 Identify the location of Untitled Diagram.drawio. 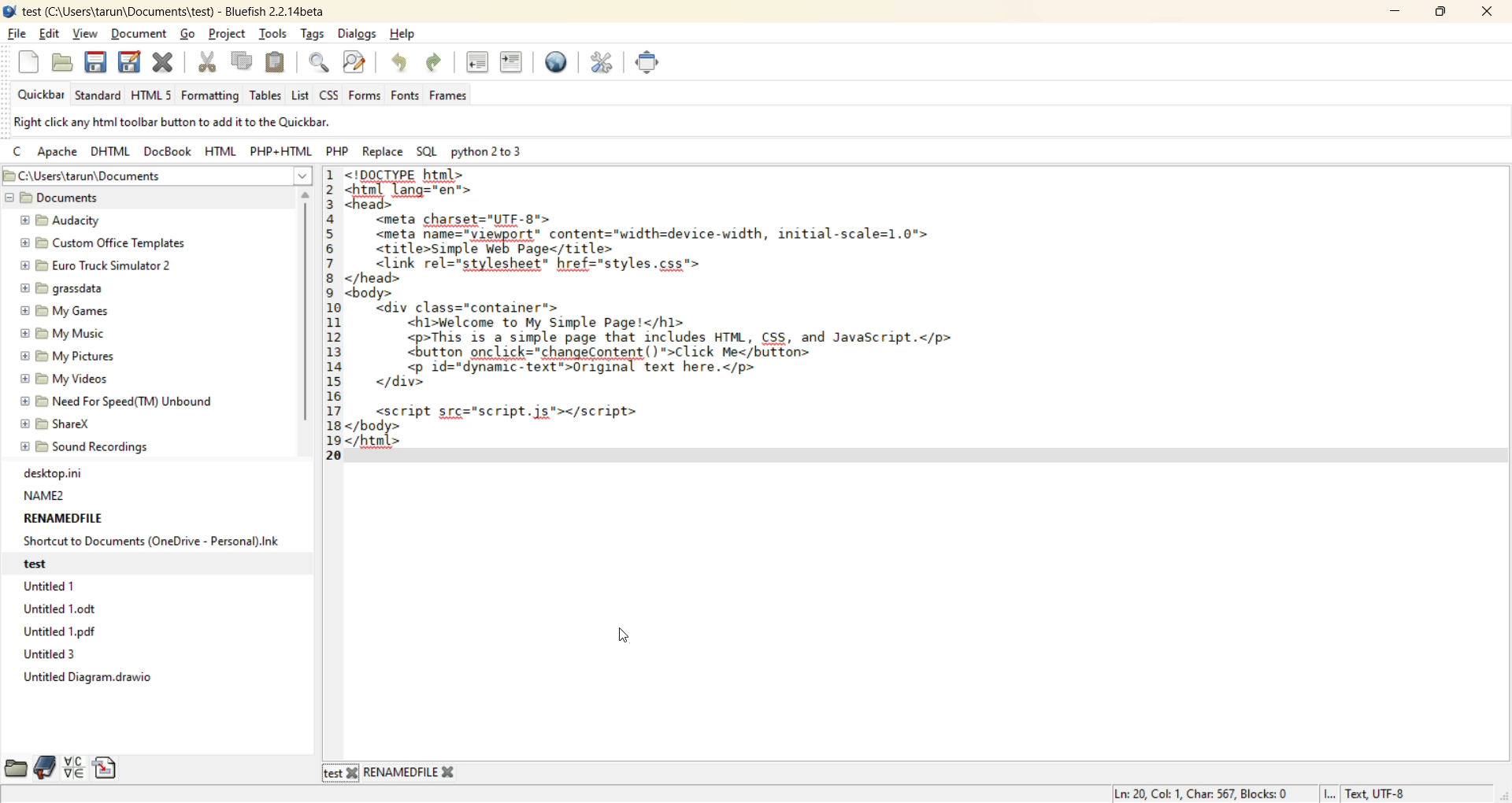
(88, 679).